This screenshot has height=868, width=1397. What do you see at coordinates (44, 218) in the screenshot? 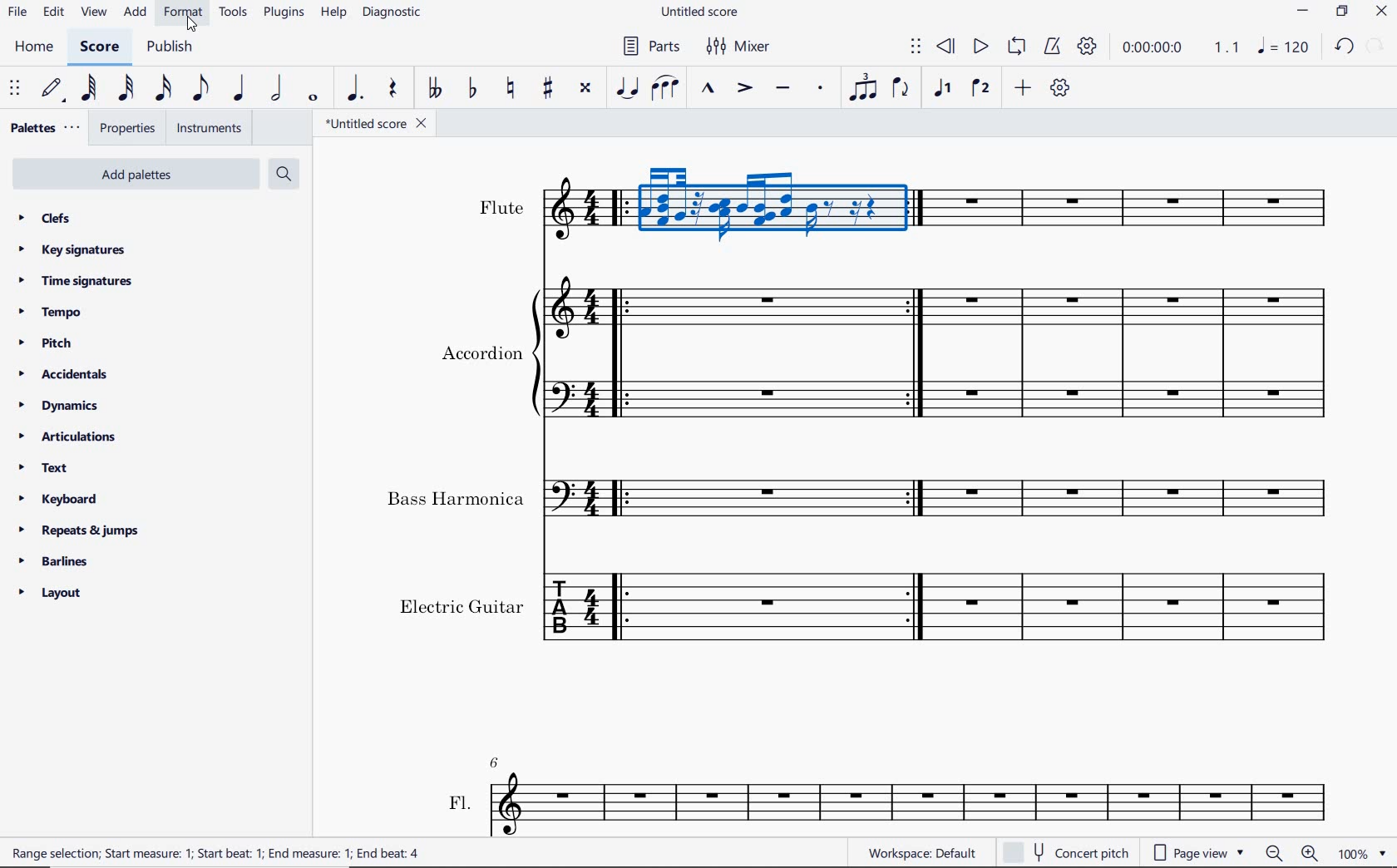
I see `clefs` at bounding box center [44, 218].